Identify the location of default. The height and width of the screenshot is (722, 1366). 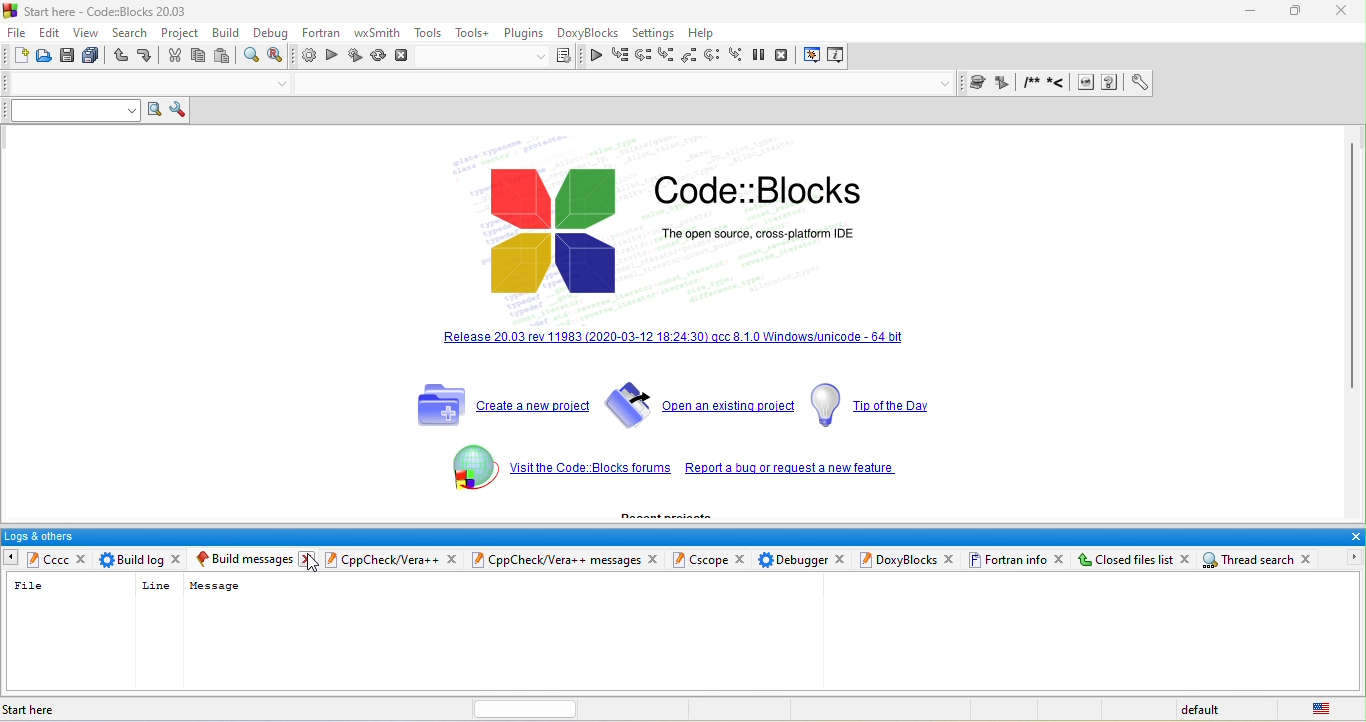
(1209, 708).